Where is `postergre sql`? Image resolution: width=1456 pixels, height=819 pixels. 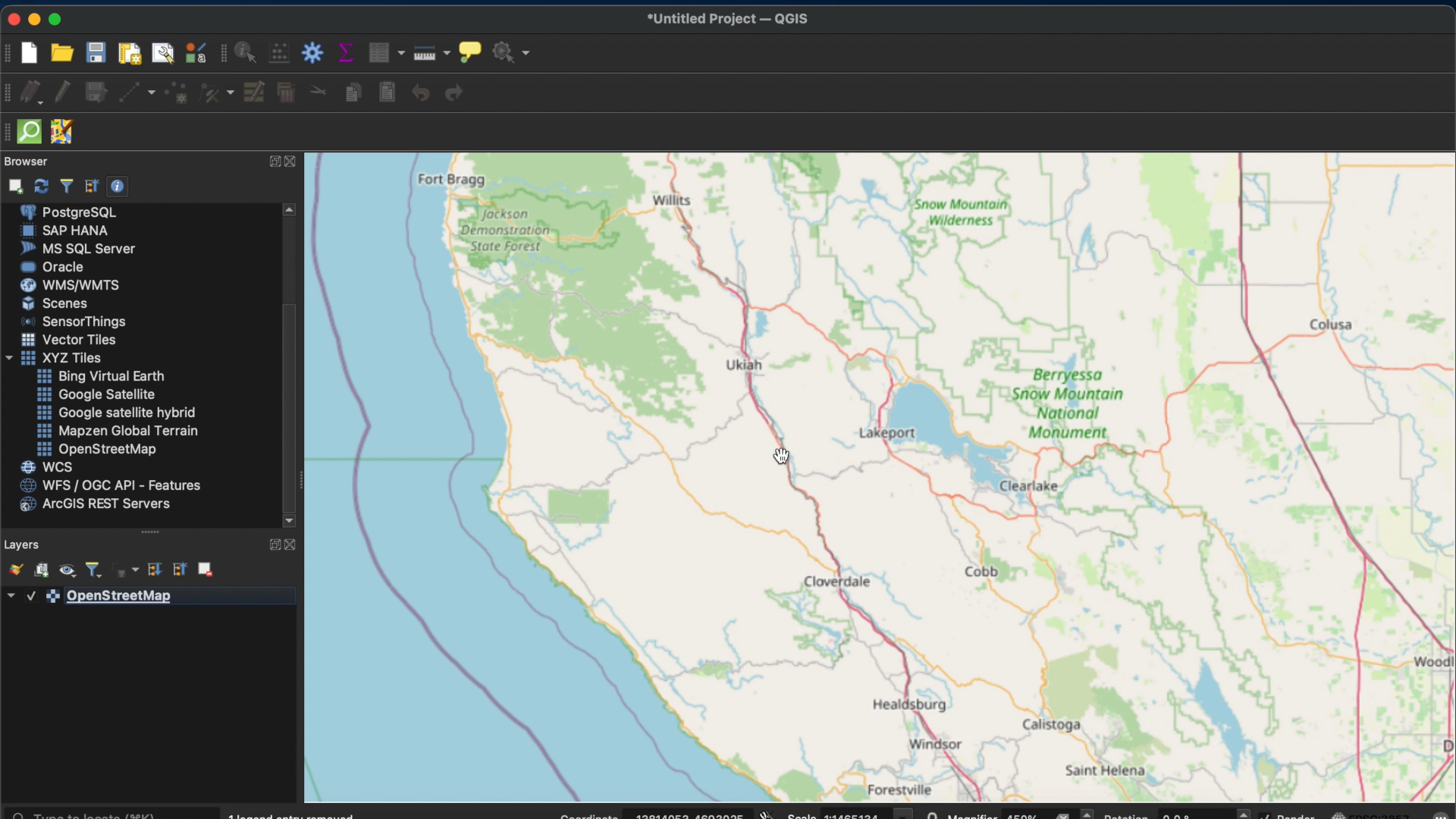 postergre sql is located at coordinates (71, 211).